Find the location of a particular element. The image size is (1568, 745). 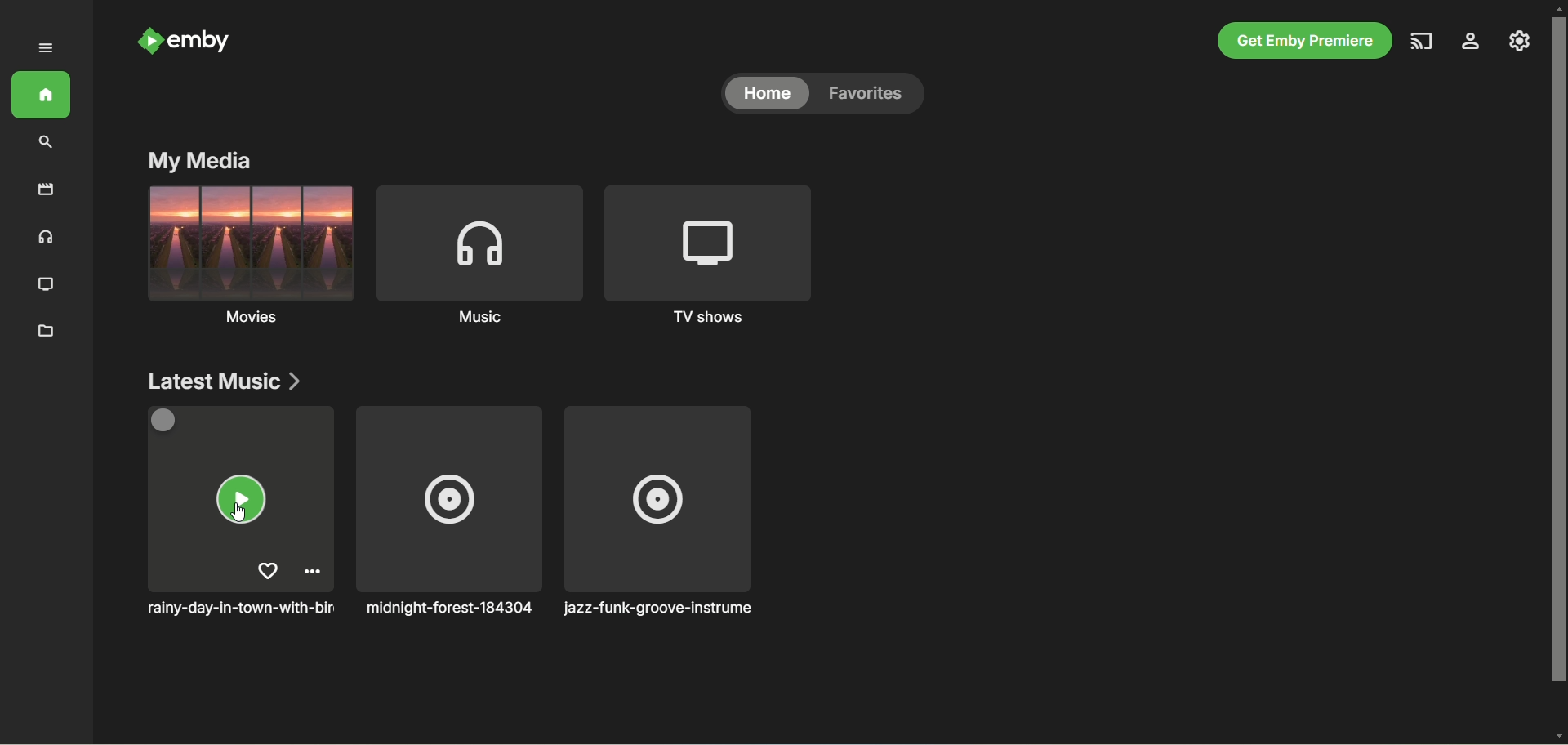

manage emby server is located at coordinates (1521, 43).